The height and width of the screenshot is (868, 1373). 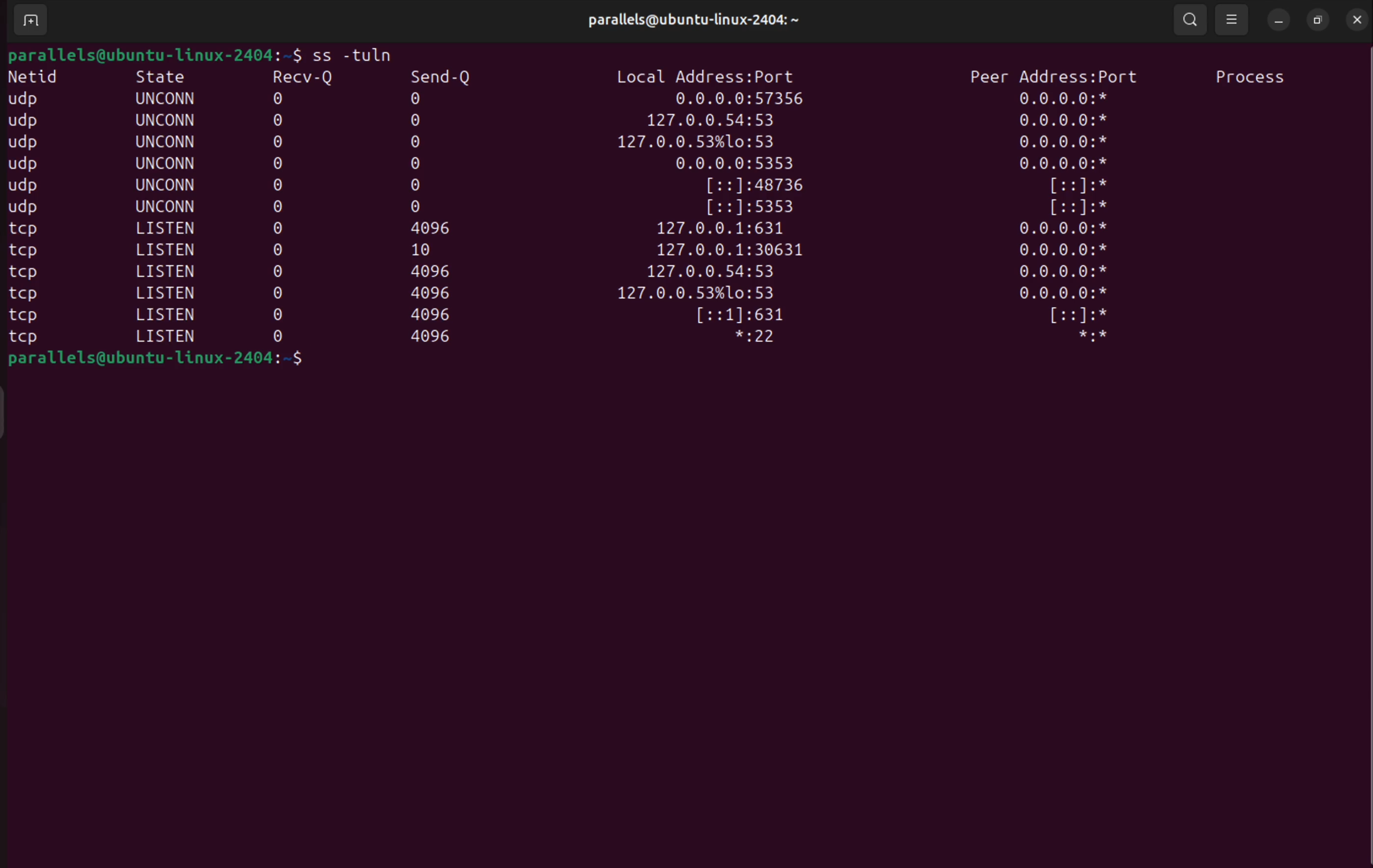 What do you see at coordinates (428, 250) in the screenshot?
I see `10` at bounding box center [428, 250].